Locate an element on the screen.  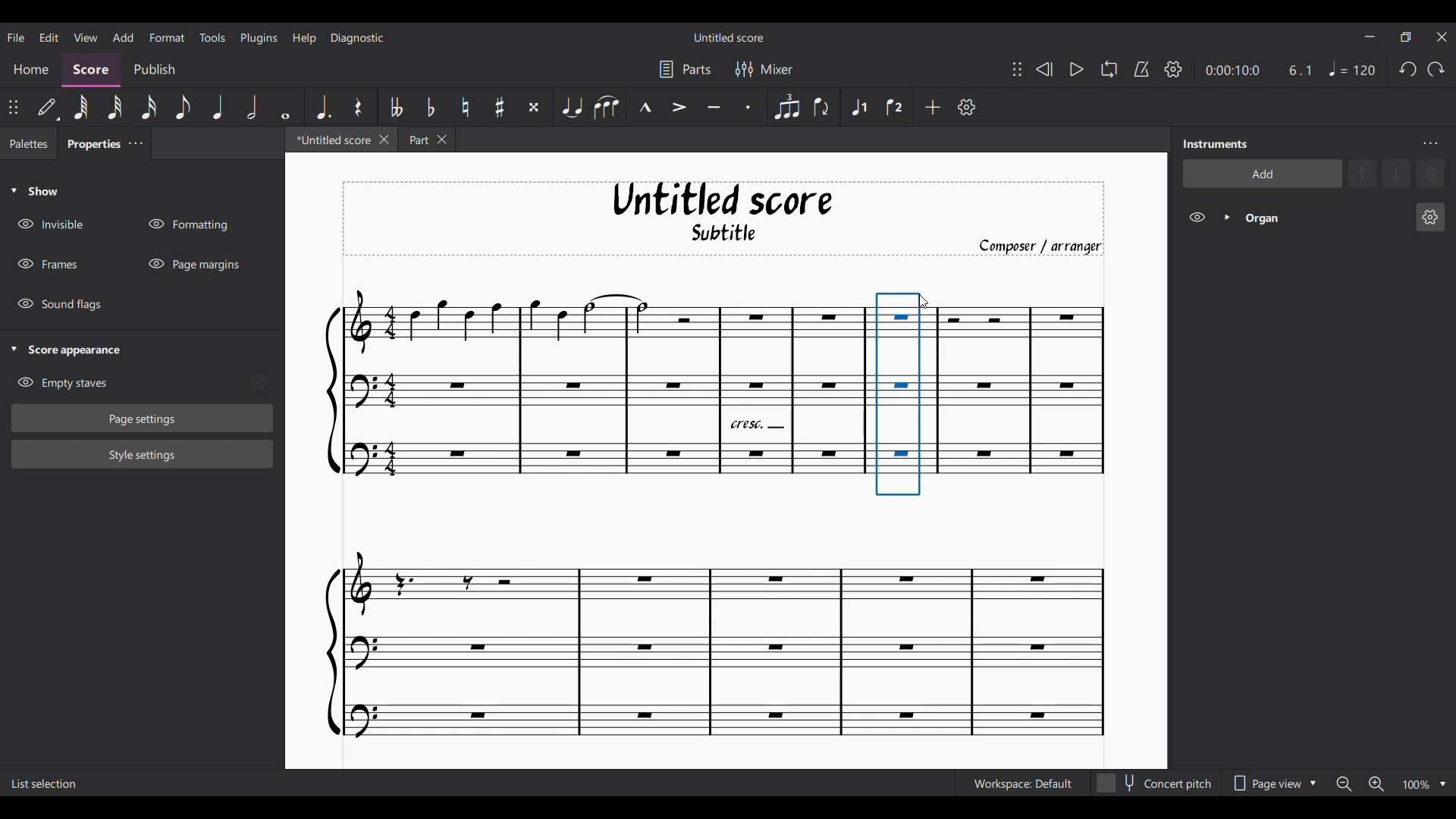
Style settings is located at coordinates (143, 455).